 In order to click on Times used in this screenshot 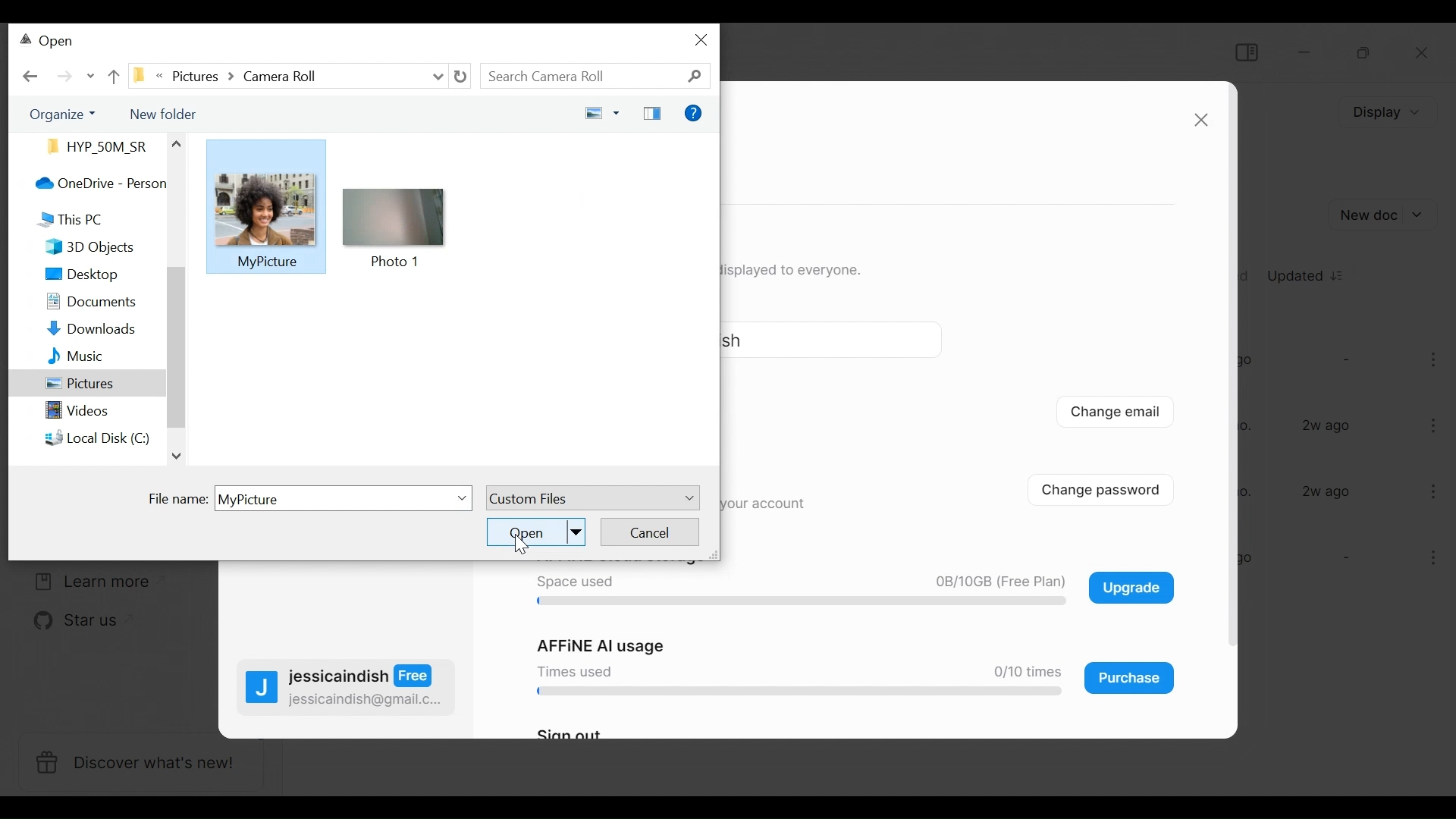, I will do `click(571, 670)`.